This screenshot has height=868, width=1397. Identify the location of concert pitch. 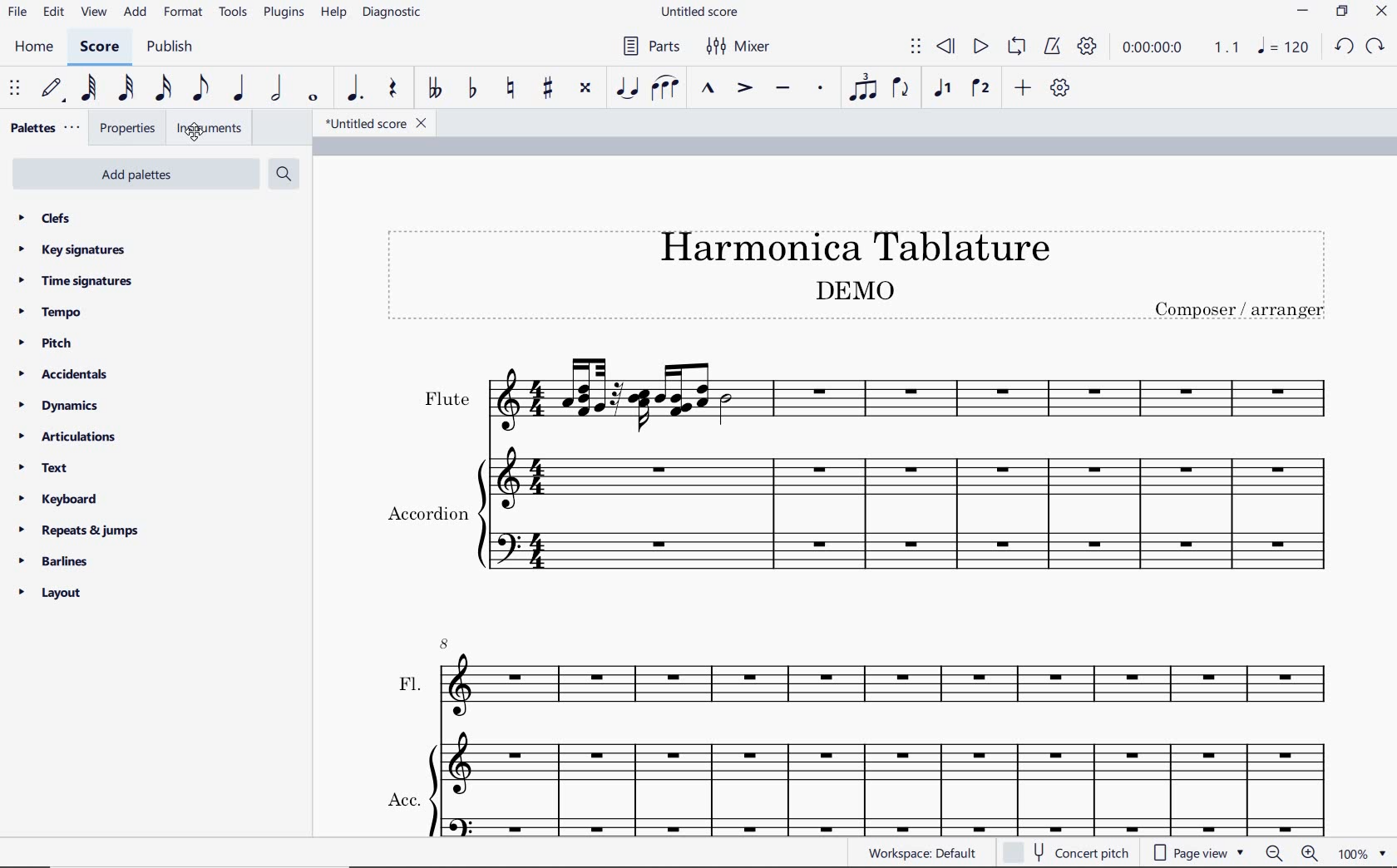
(1064, 853).